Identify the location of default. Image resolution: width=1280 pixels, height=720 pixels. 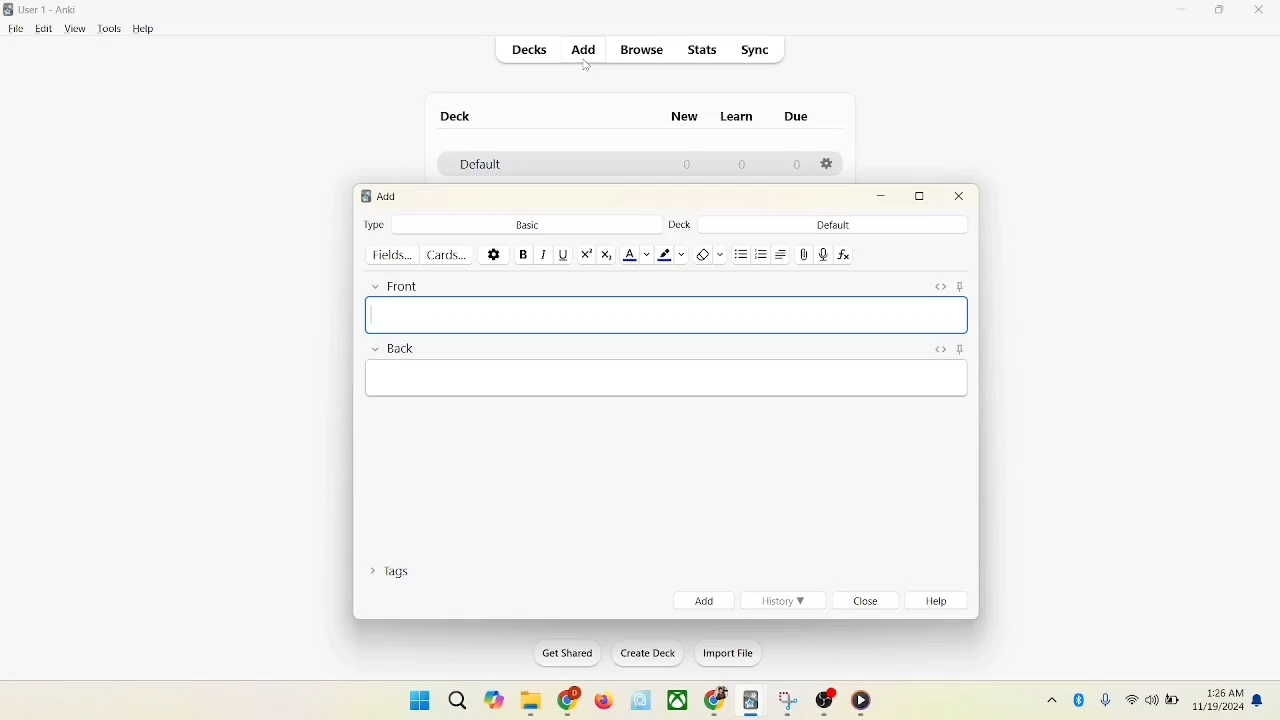
(475, 166).